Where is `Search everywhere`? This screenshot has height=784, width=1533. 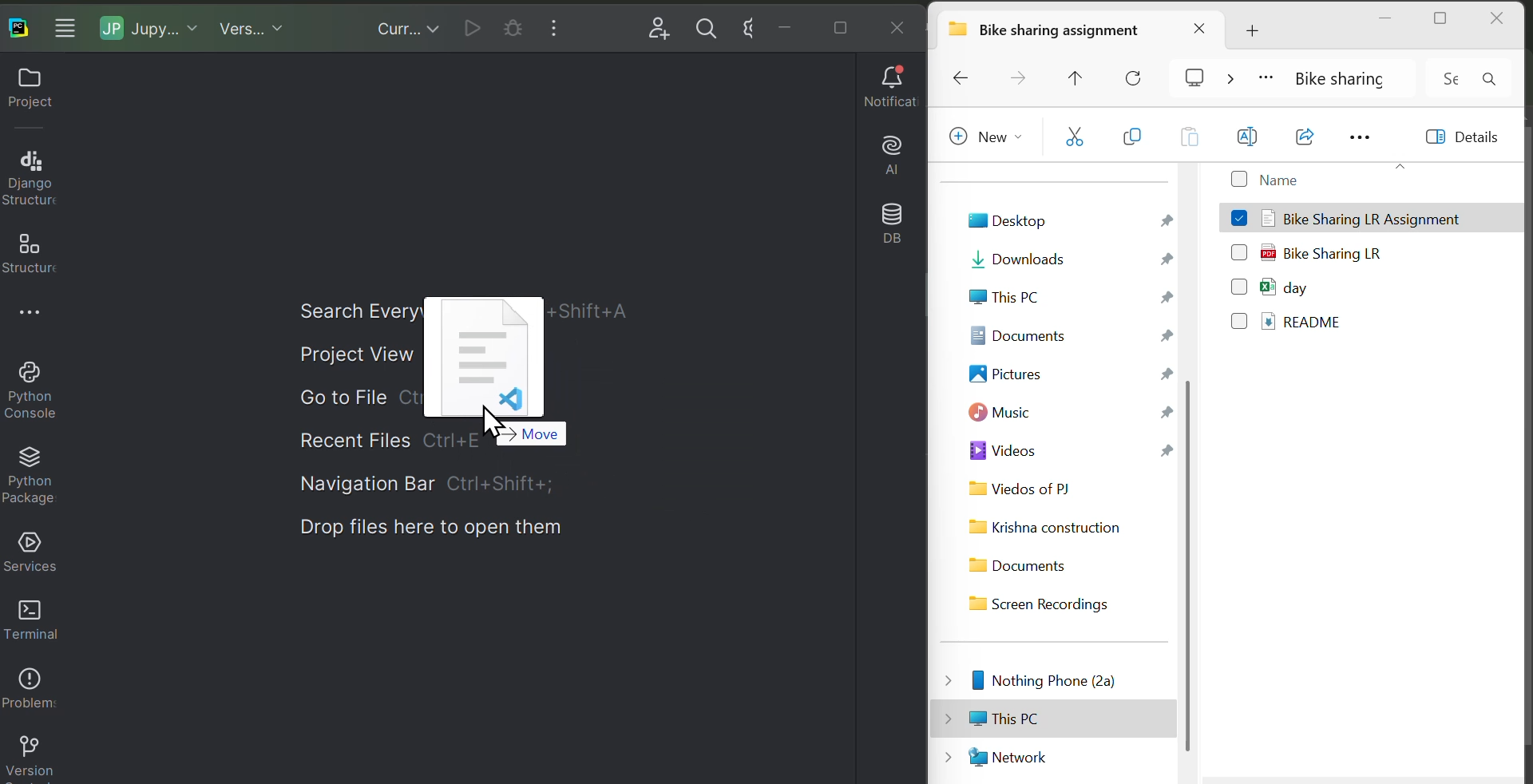
Search everywhere is located at coordinates (343, 308).